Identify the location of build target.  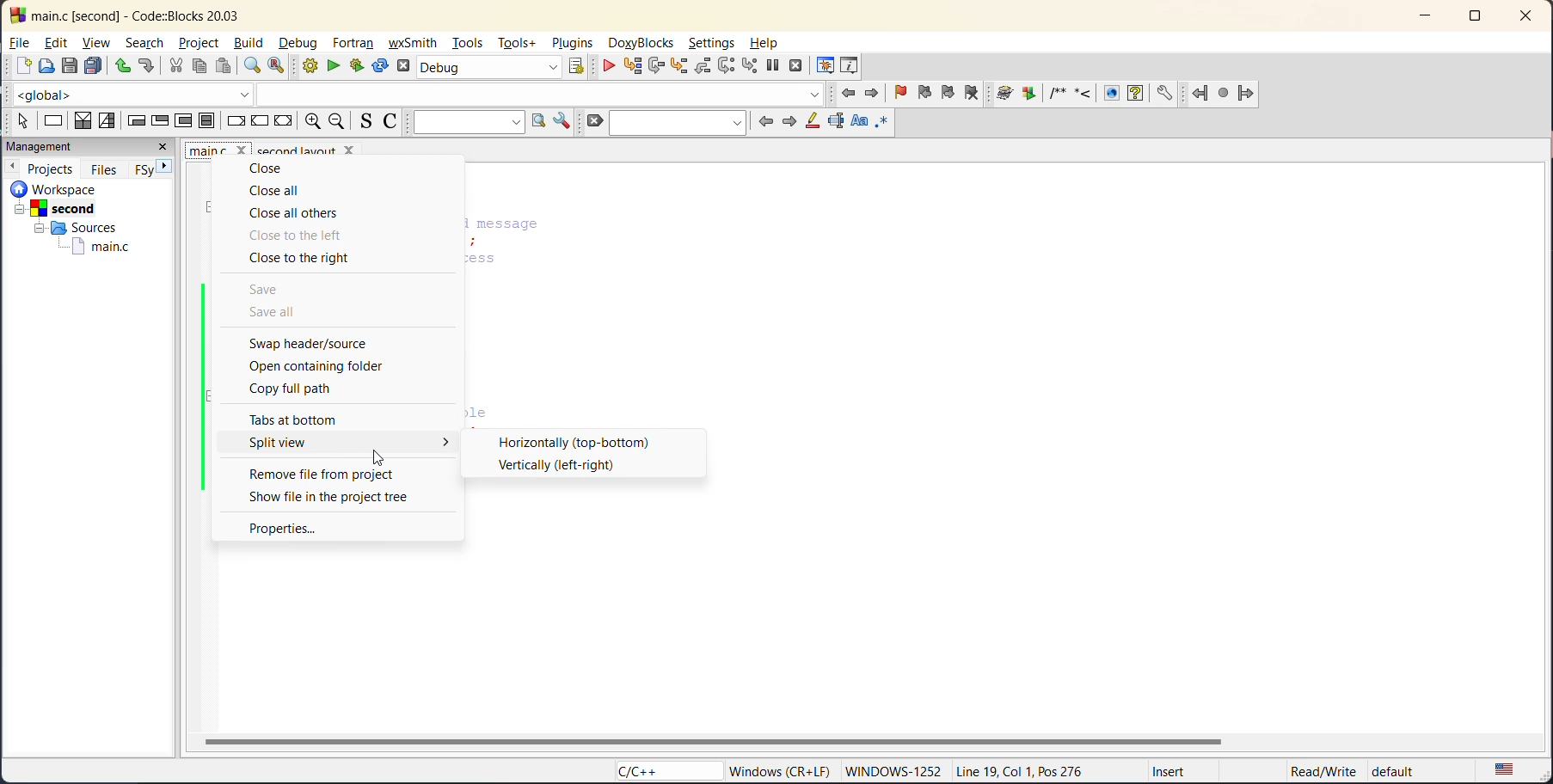
(488, 66).